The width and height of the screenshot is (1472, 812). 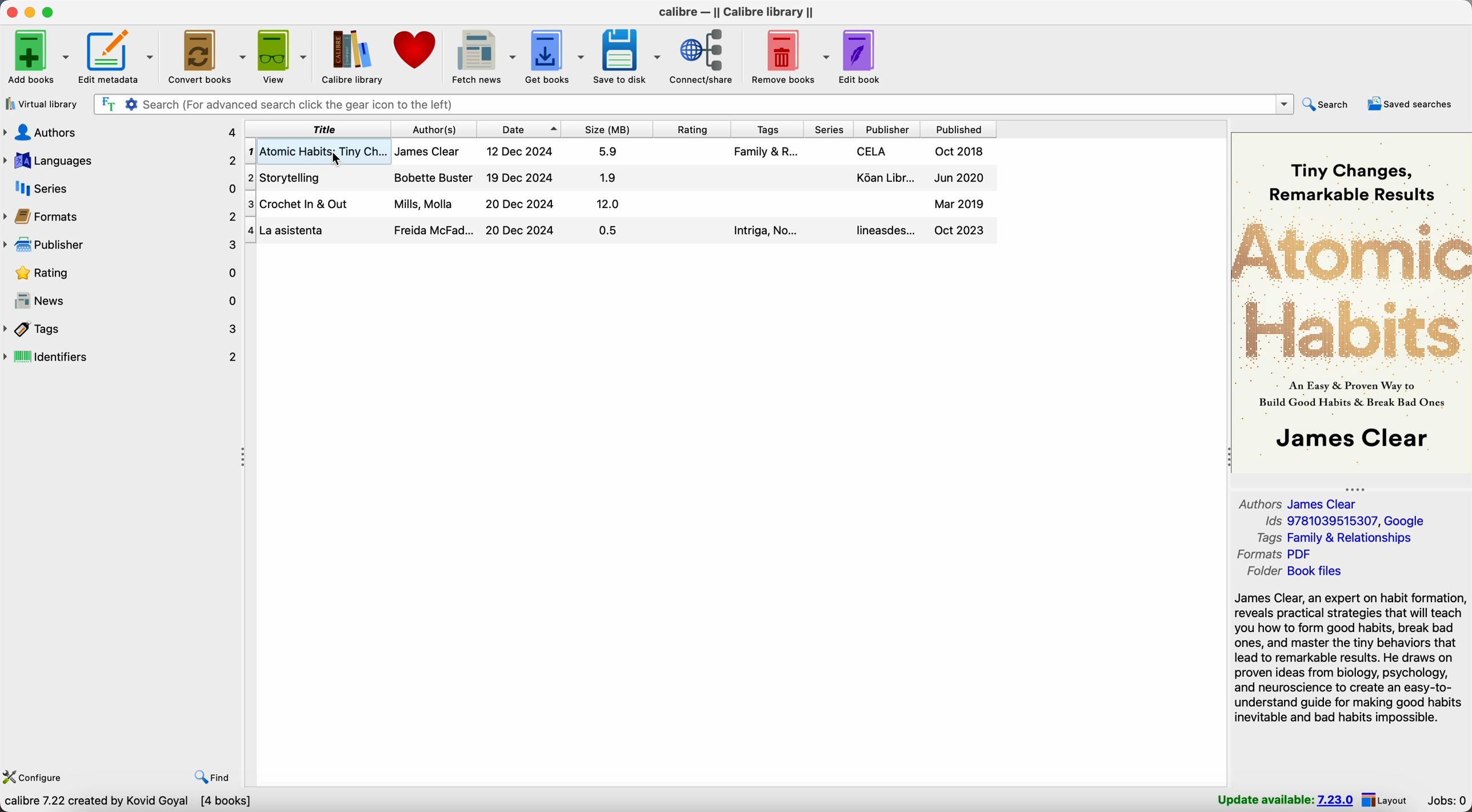 What do you see at coordinates (789, 57) in the screenshot?
I see `remove books` at bounding box center [789, 57].